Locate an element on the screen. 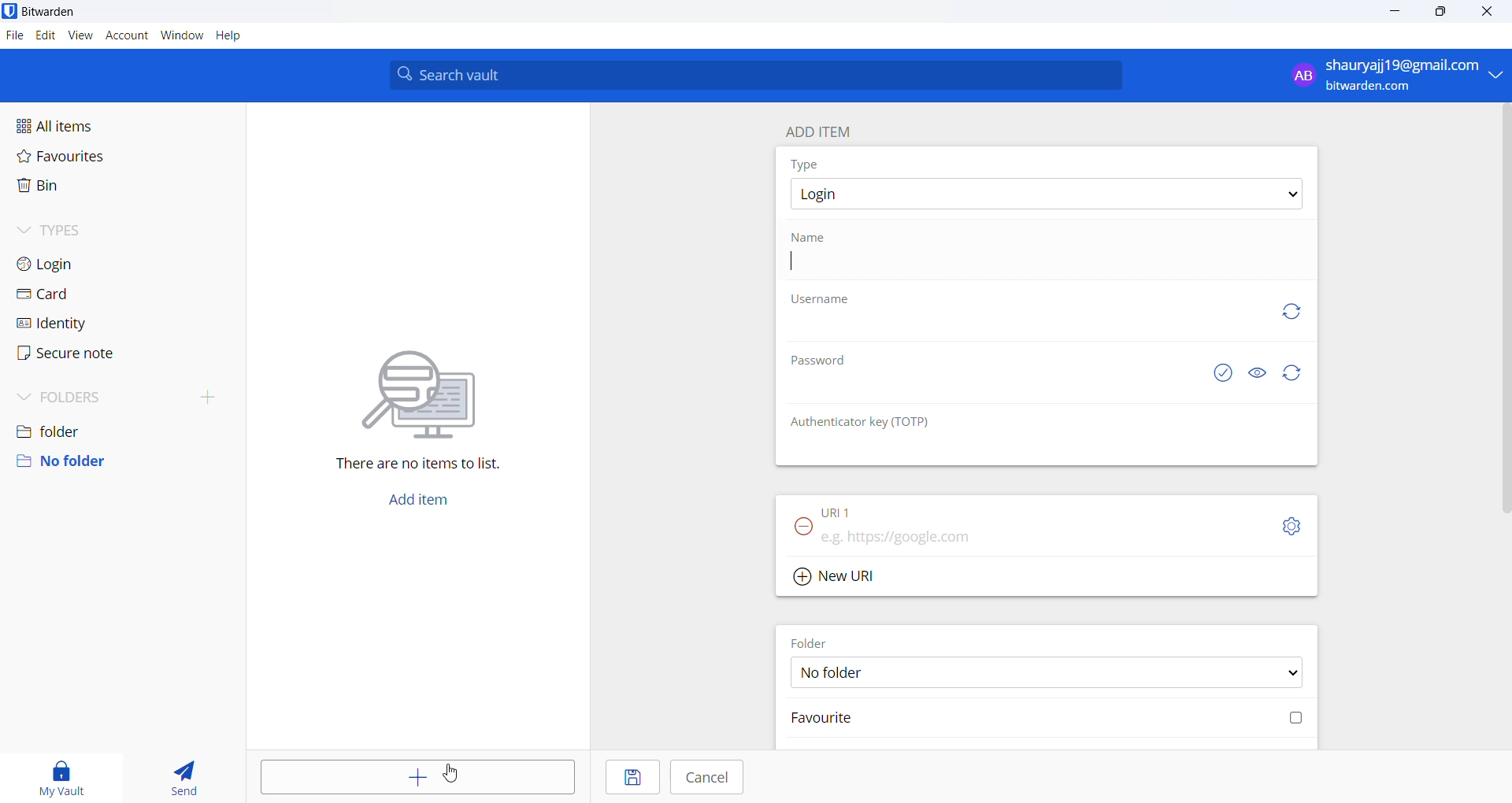  login is located at coordinates (82, 265).